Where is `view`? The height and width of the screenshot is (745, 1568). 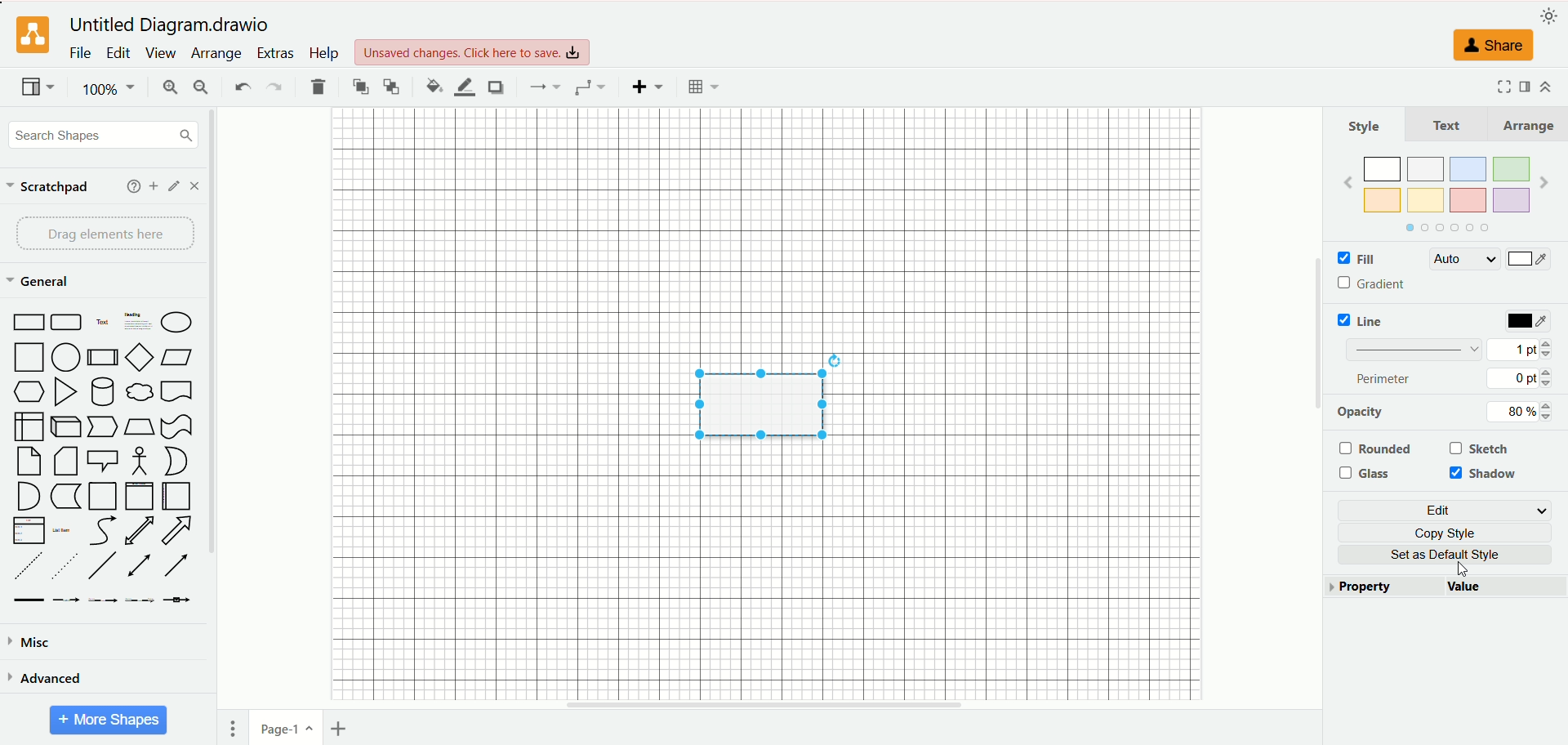
view is located at coordinates (159, 53).